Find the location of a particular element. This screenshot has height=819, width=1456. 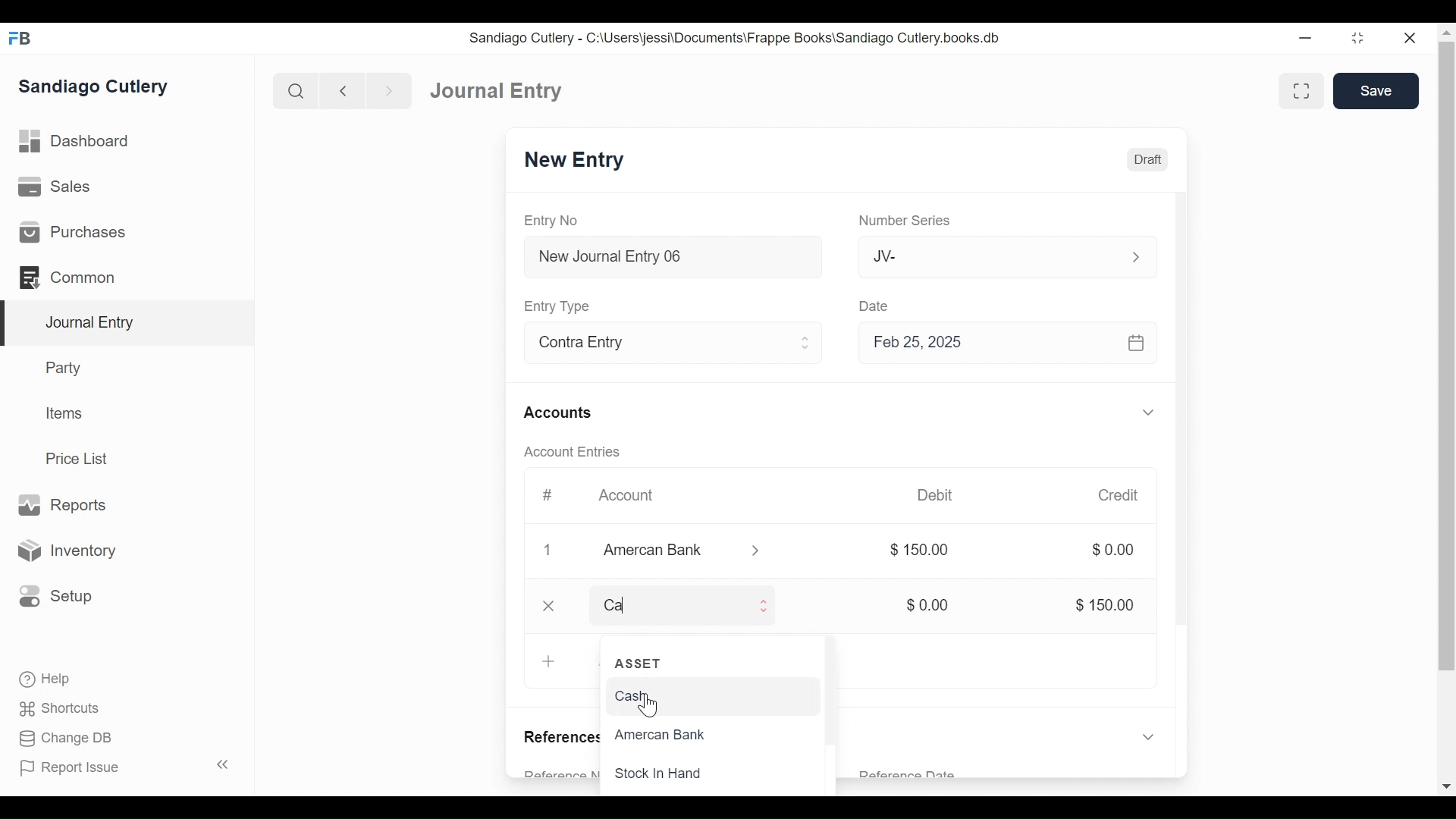

New Journal Entry 06 is located at coordinates (671, 257).